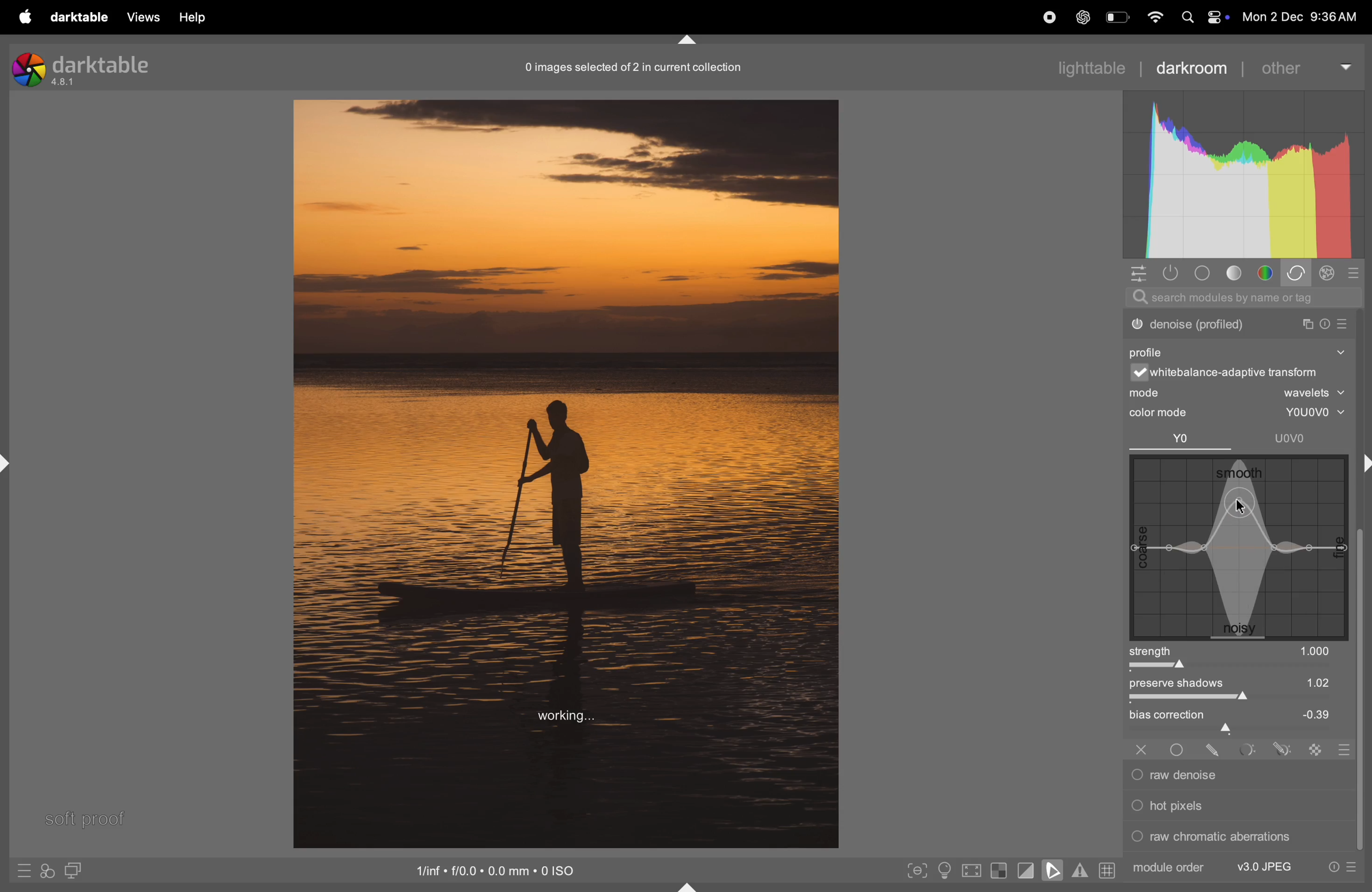  Describe the element at coordinates (1241, 716) in the screenshot. I see `bias correction` at that location.